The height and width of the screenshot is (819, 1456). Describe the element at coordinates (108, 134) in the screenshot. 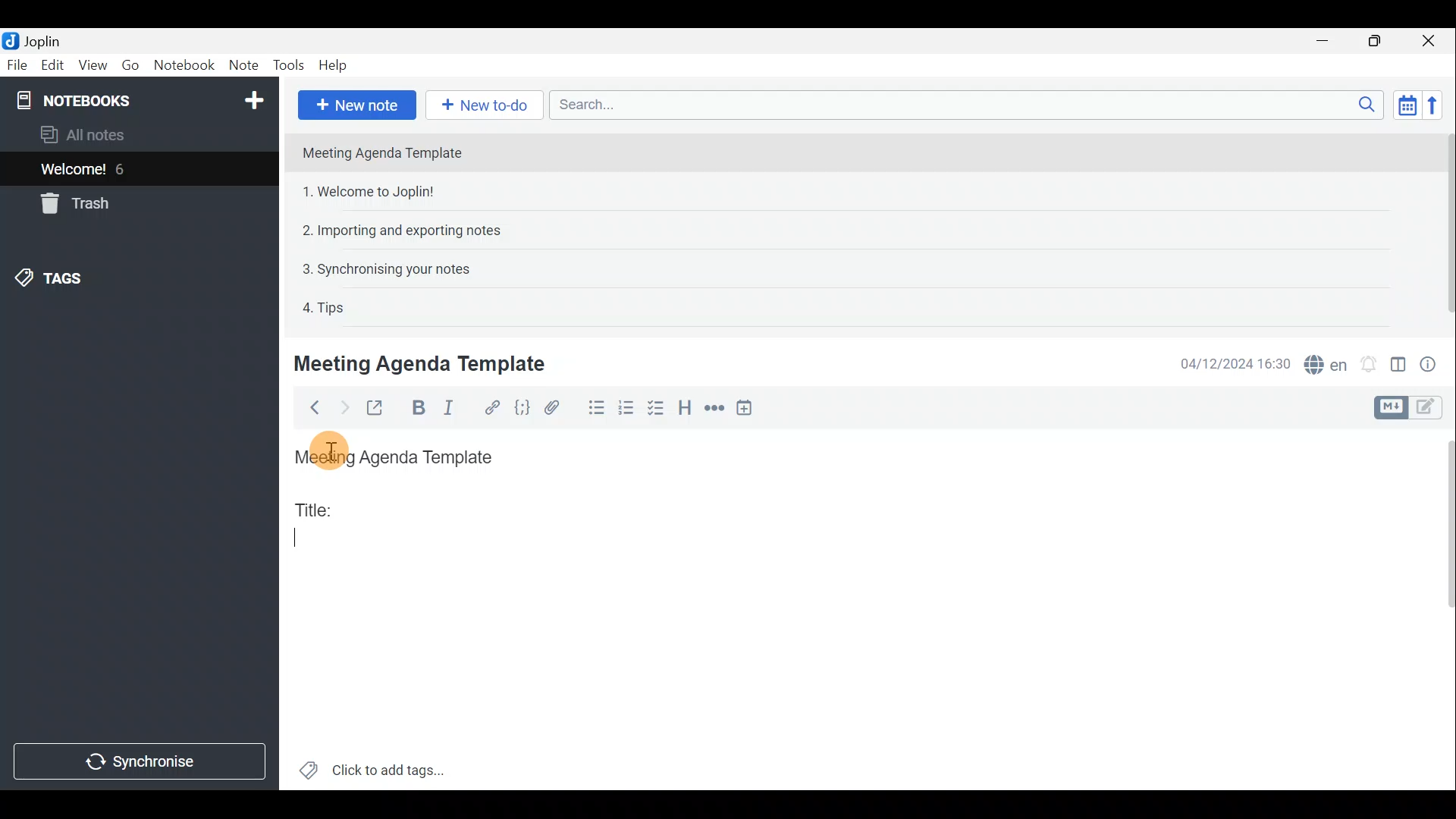

I see `All notes` at that location.